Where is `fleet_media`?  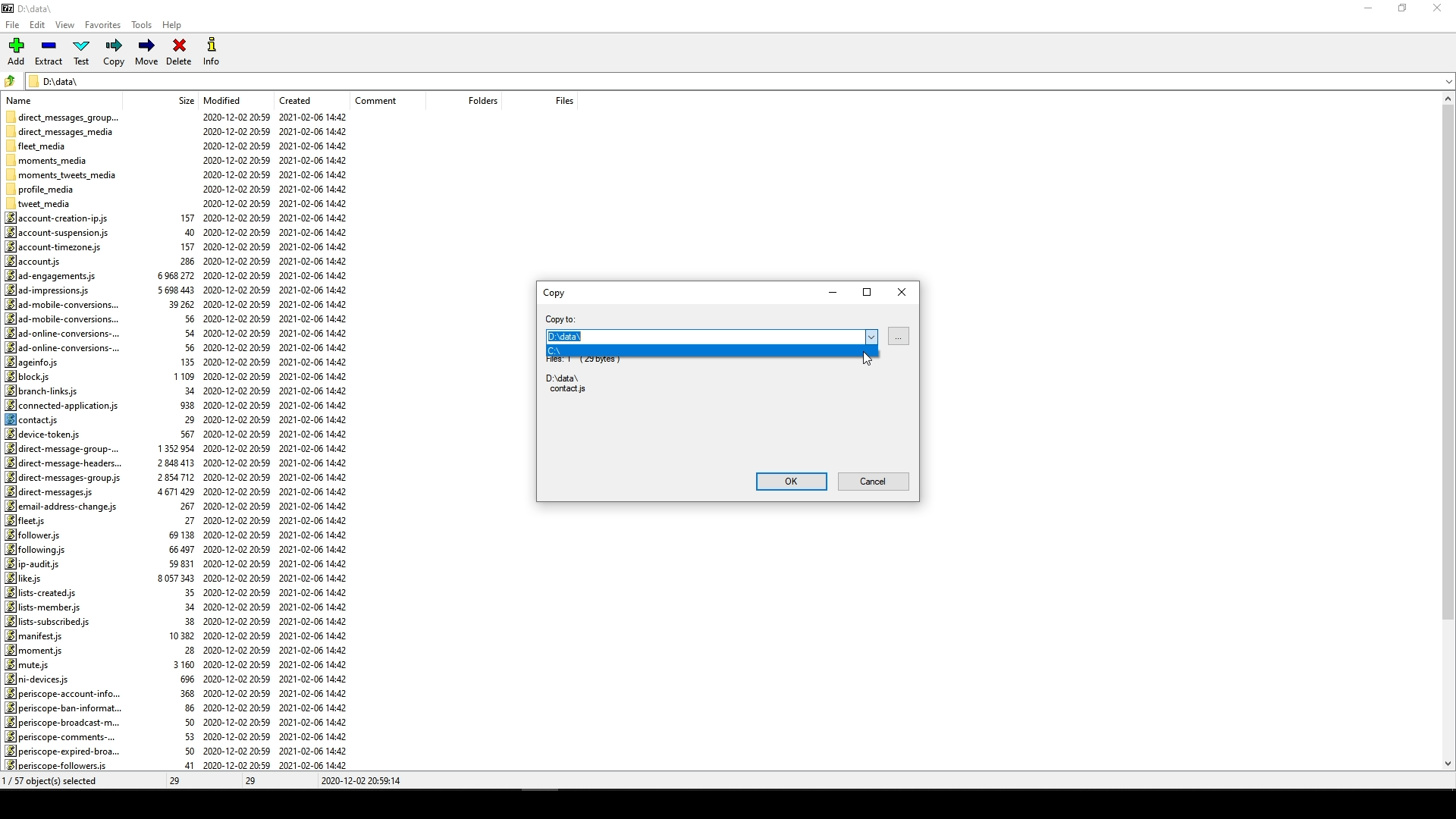 fleet_media is located at coordinates (39, 145).